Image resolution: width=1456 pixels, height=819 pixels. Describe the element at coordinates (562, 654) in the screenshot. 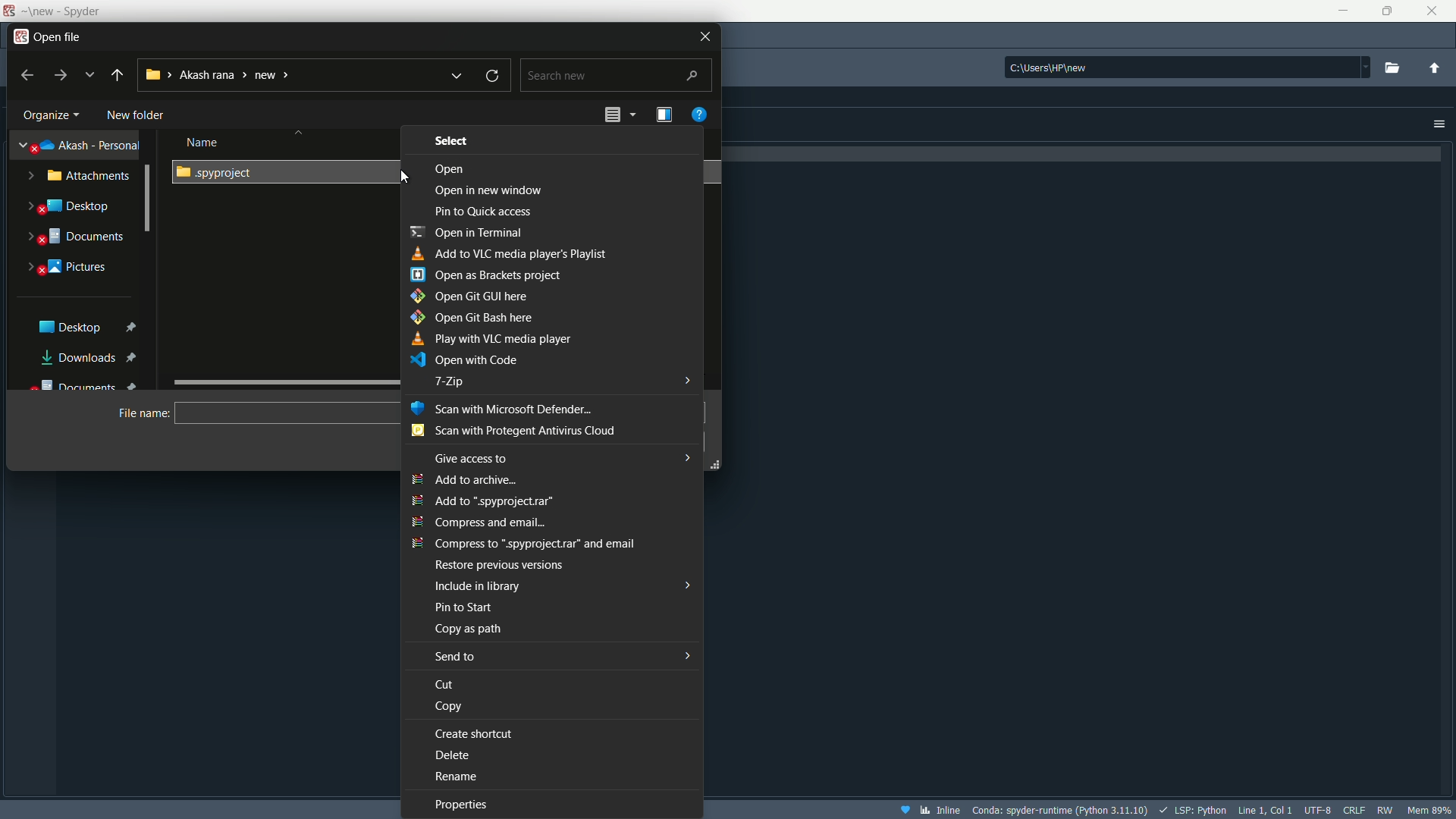

I see `Sent to` at that location.